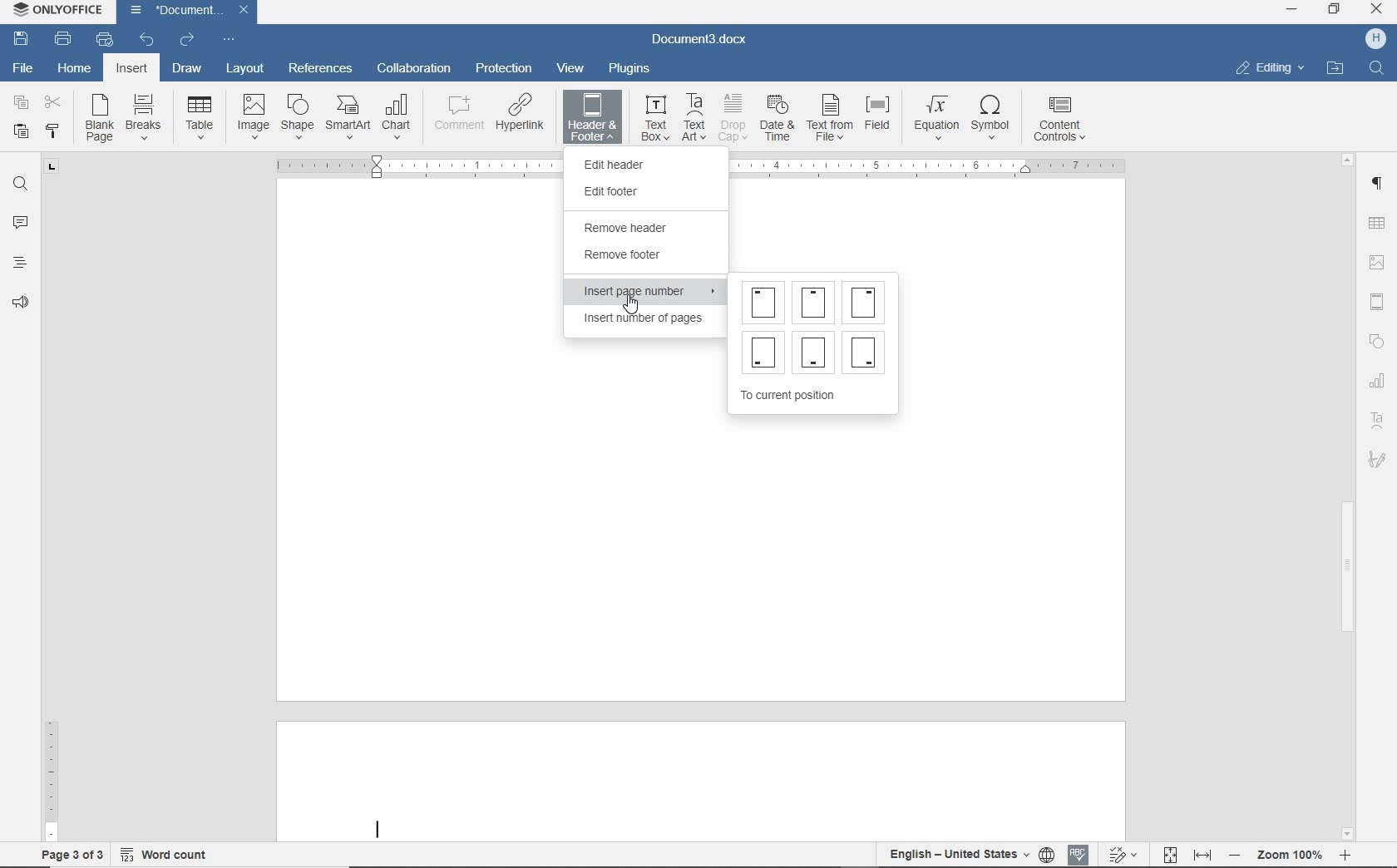 The image size is (1397, 868). I want to click on SET DOCUMENT LANGUAGE, so click(1048, 855).